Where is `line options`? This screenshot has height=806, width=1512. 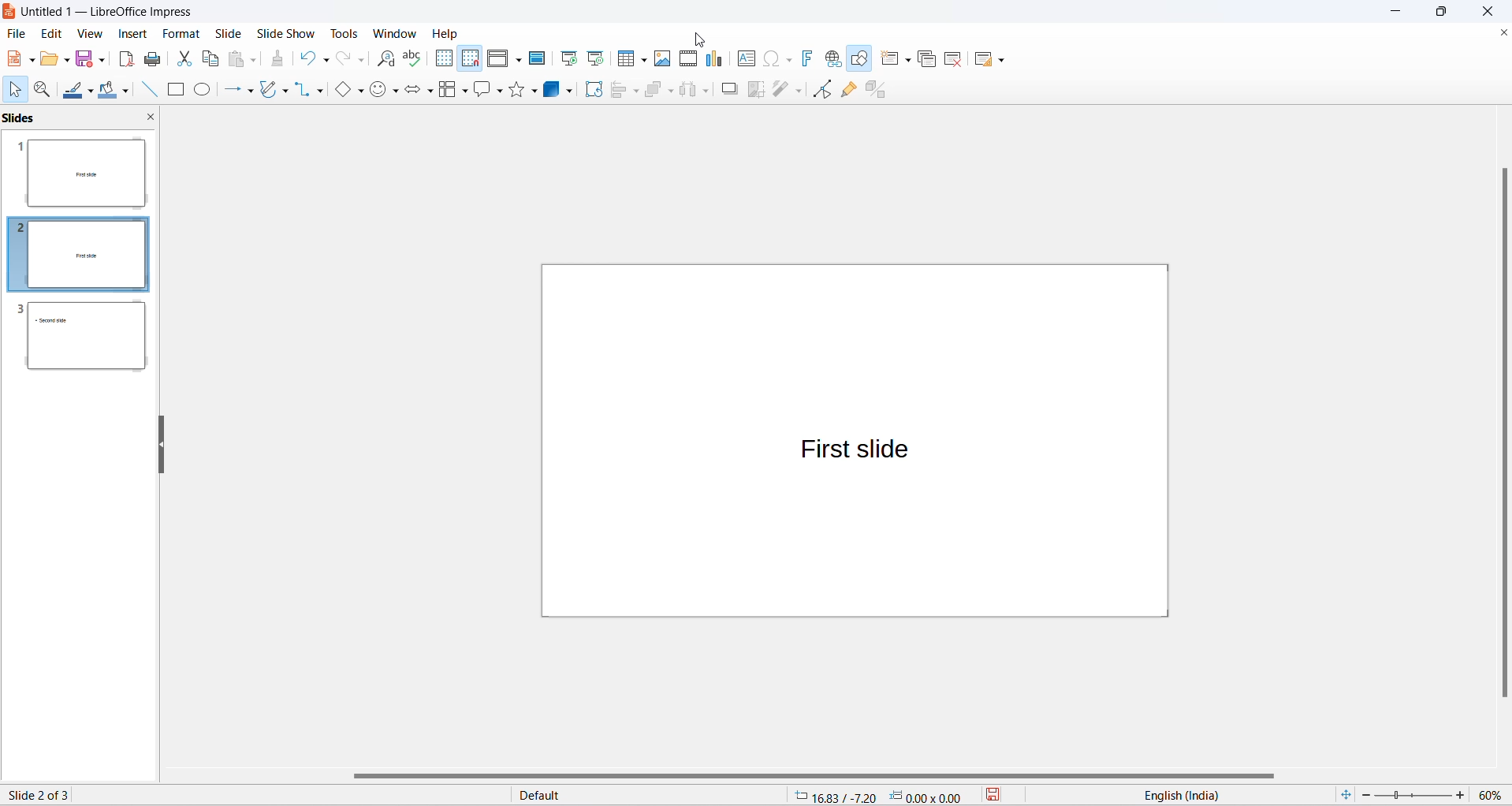 line options is located at coordinates (253, 91).